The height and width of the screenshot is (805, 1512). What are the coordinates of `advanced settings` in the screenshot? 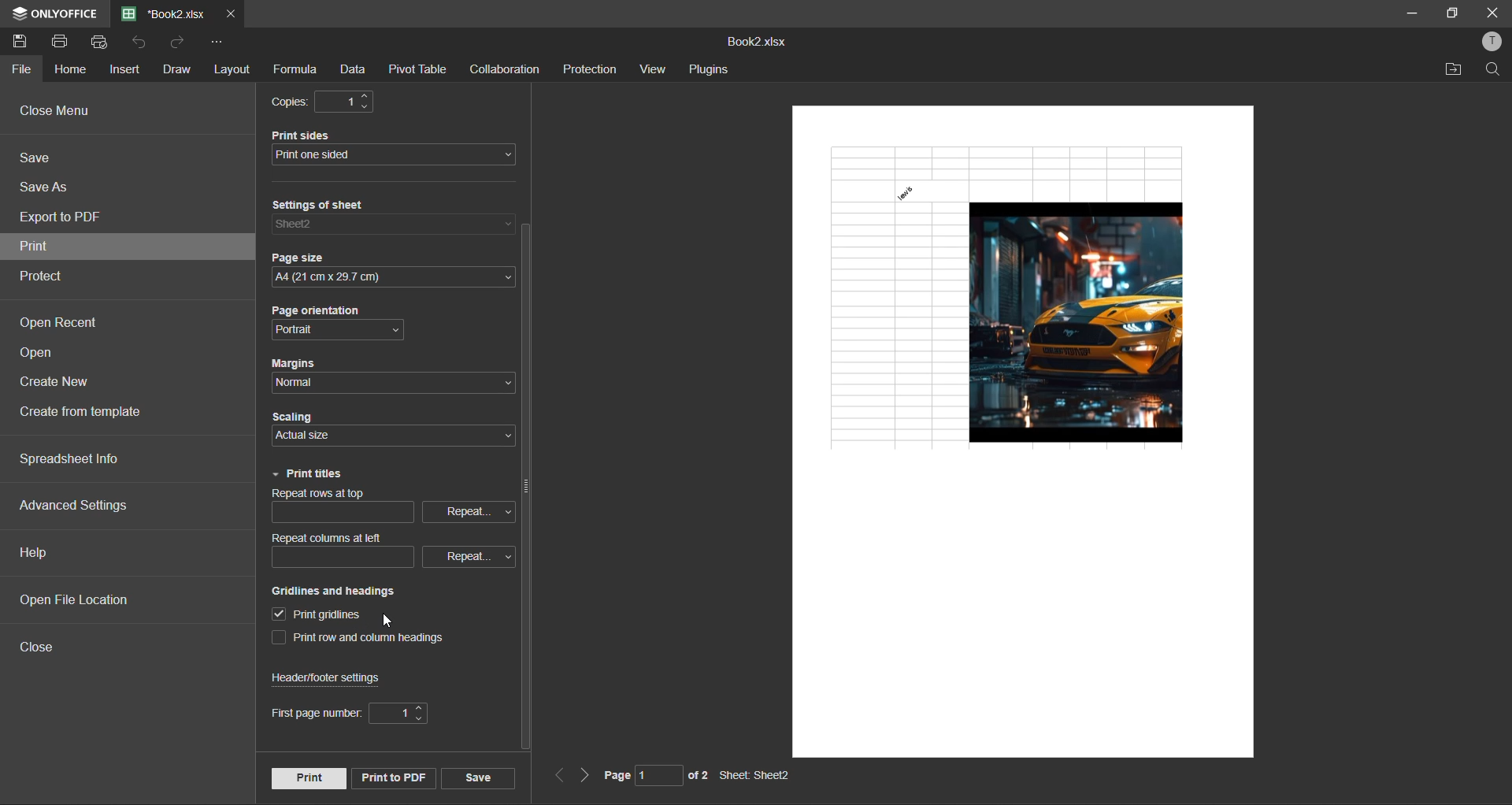 It's located at (81, 508).